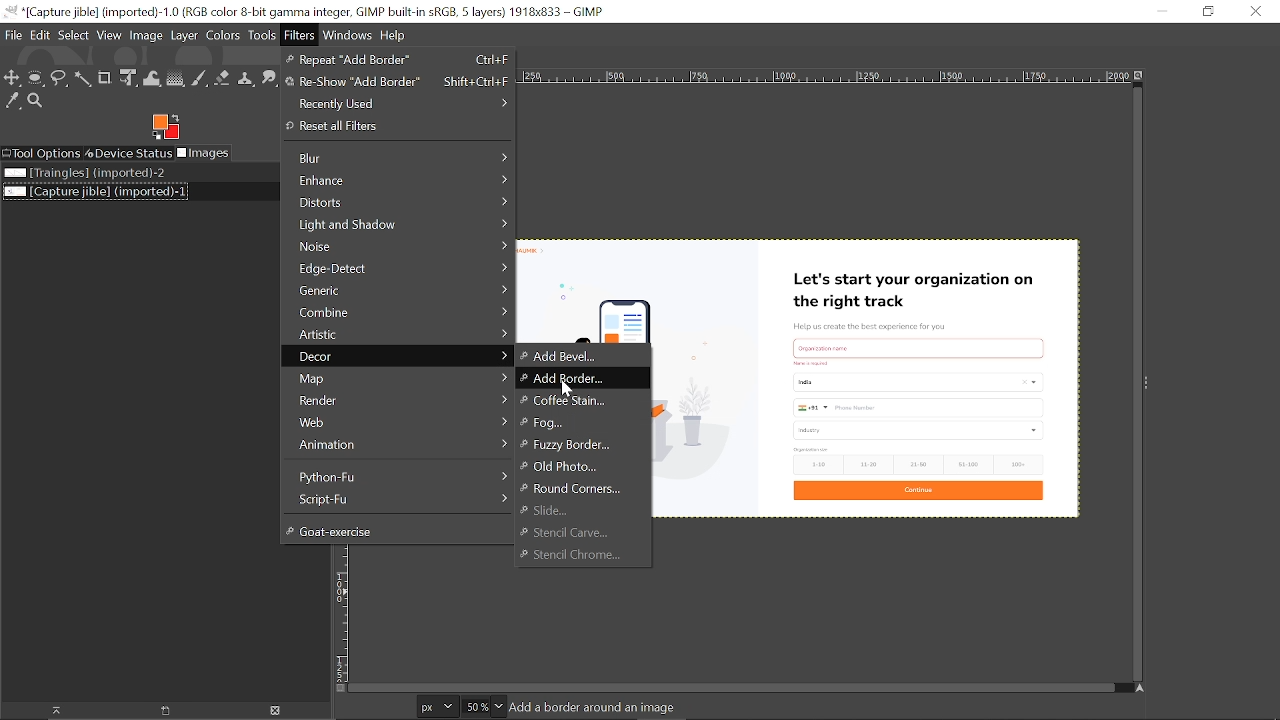 The width and height of the screenshot is (1280, 720). Describe the element at coordinates (970, 465) in the screenshot. I see `51-100` at that location.